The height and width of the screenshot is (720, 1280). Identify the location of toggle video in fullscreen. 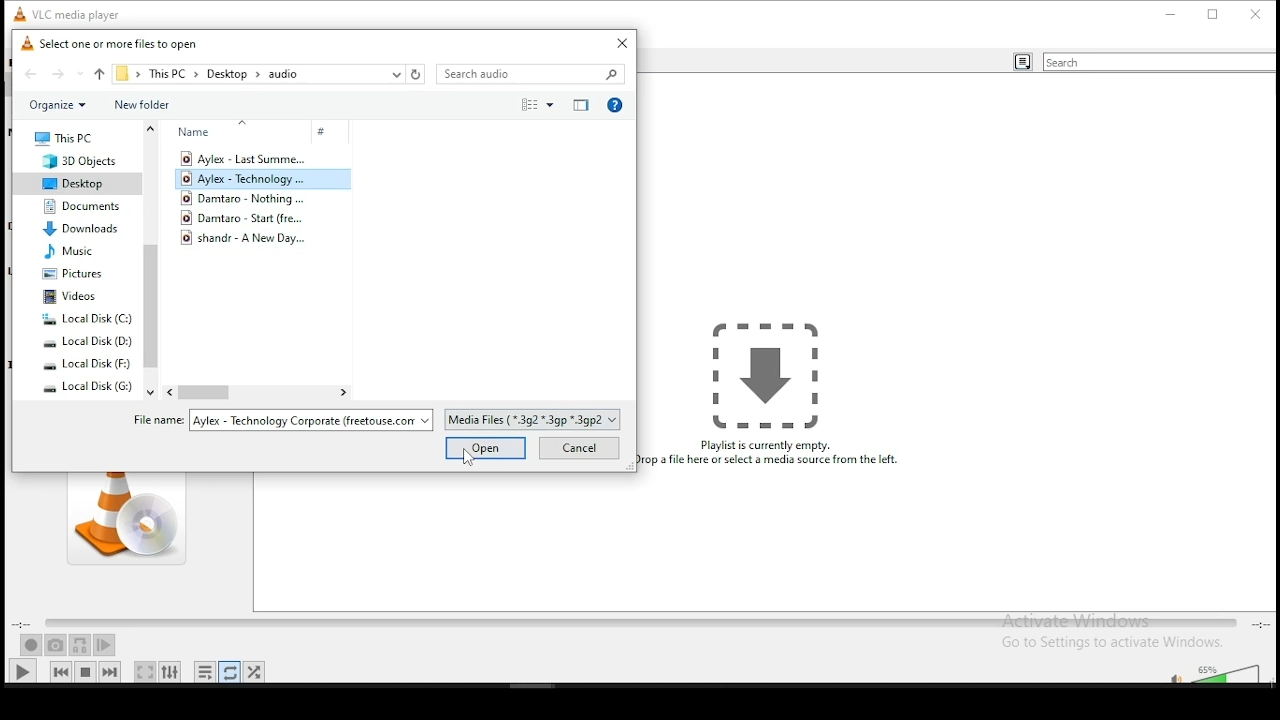
(145, 671).